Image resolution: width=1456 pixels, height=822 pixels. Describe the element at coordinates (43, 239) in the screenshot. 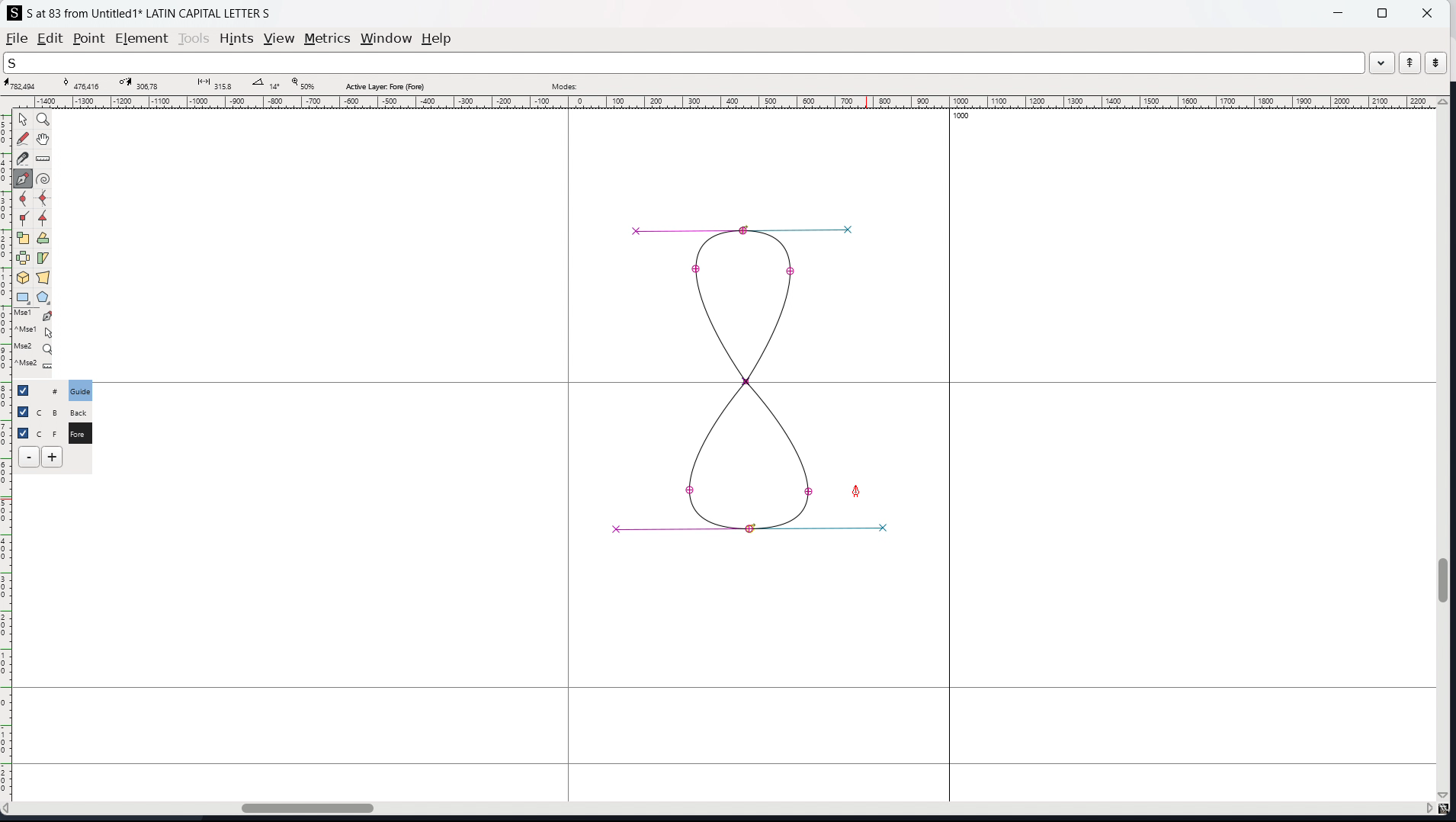

I see `rotate selection` at that location.